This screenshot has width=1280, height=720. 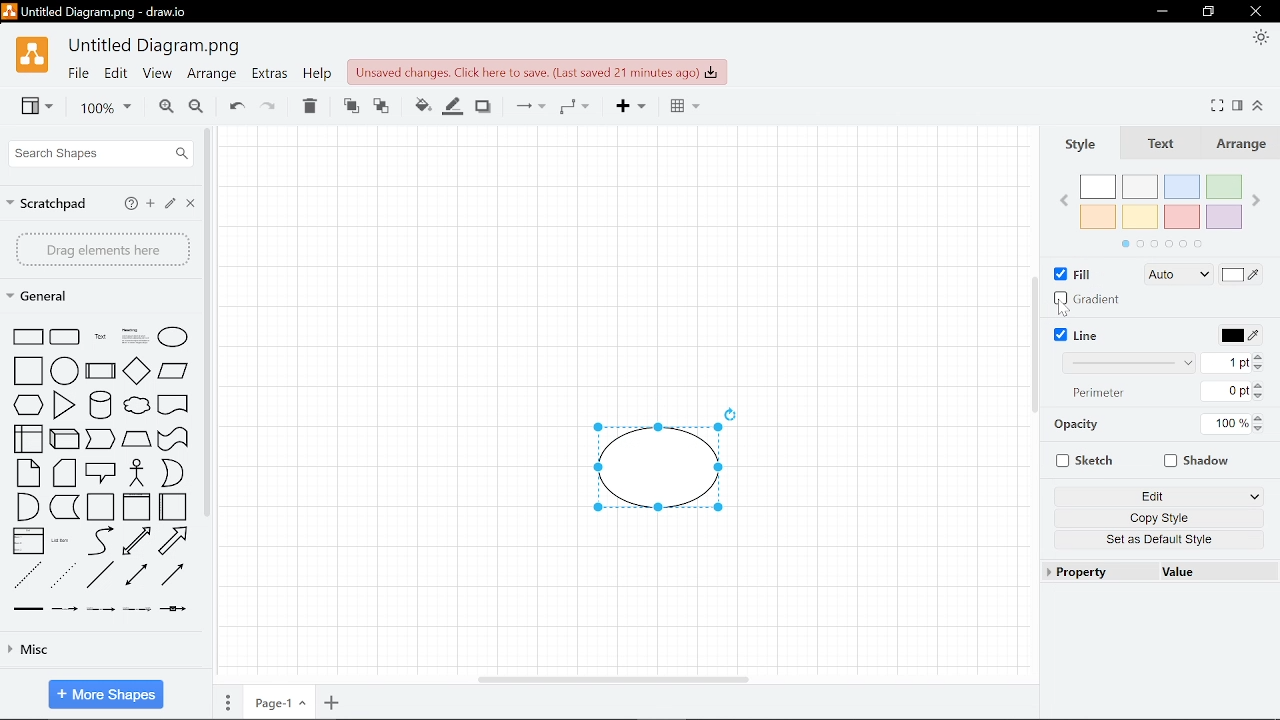 I want to click on Auto, so click(x=1181, y=275).